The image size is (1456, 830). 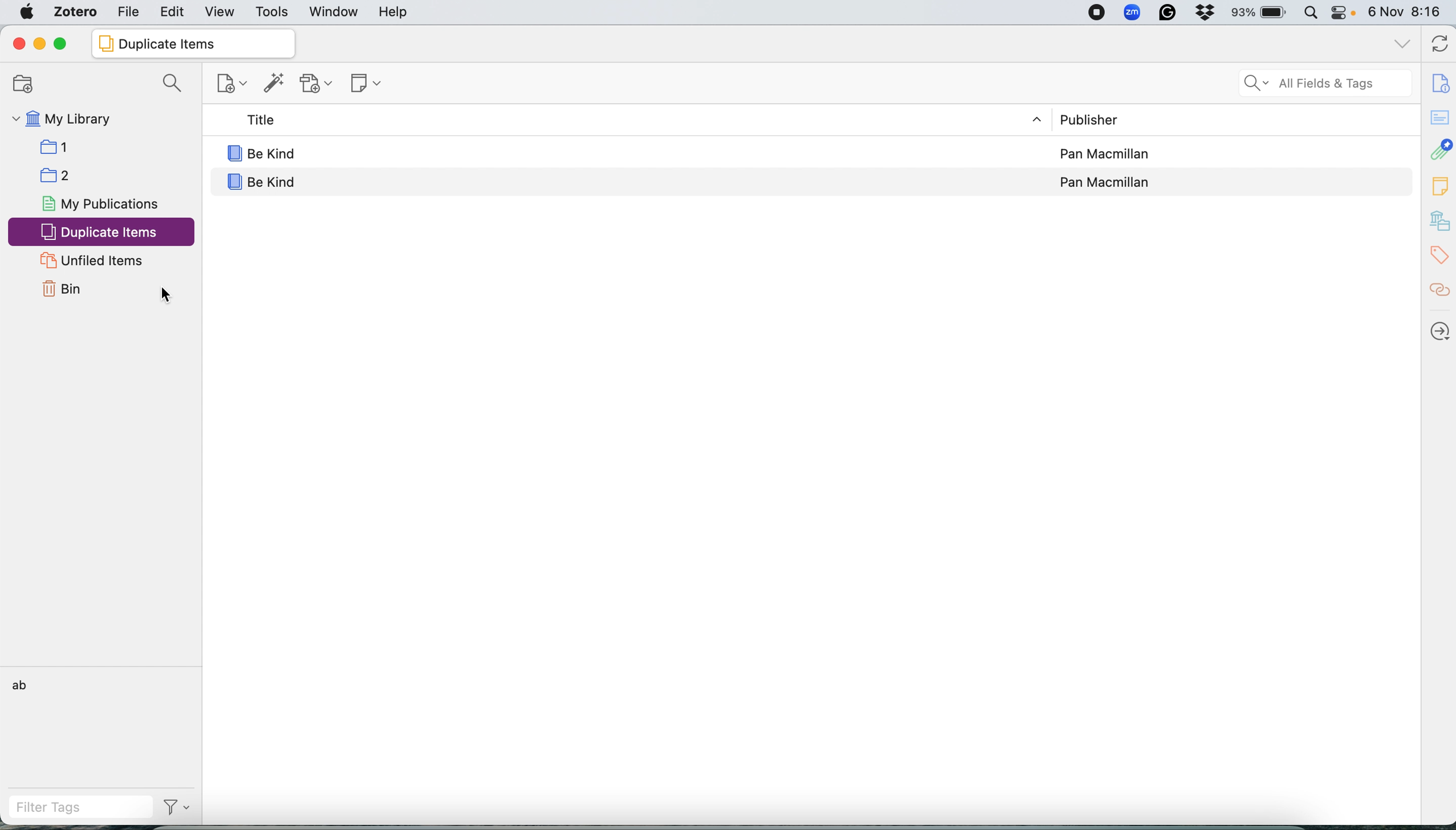 I want to click on system logo, so click(x=27, y=13).